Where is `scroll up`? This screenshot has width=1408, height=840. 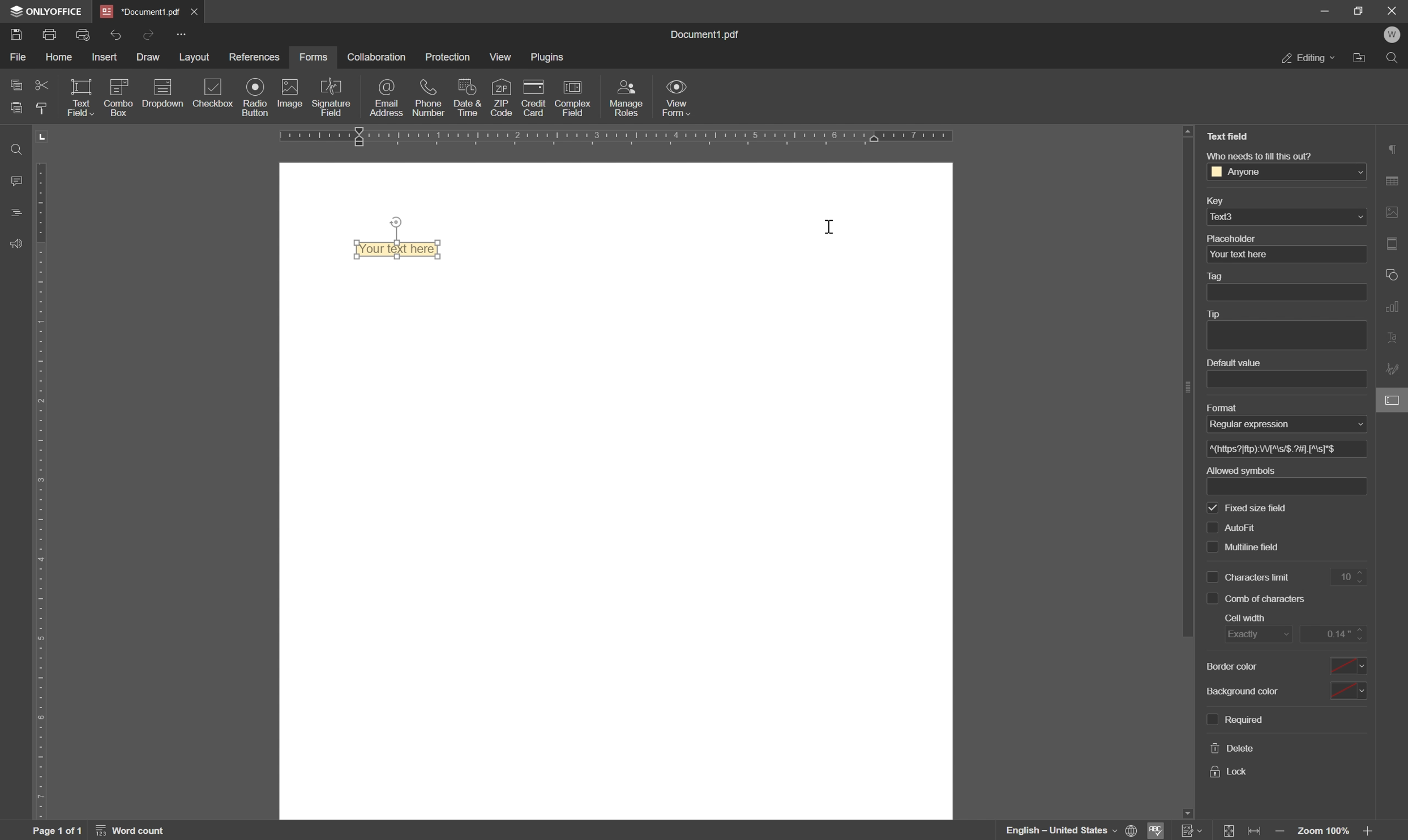 scroll up is located at coordinates (1188, 131).